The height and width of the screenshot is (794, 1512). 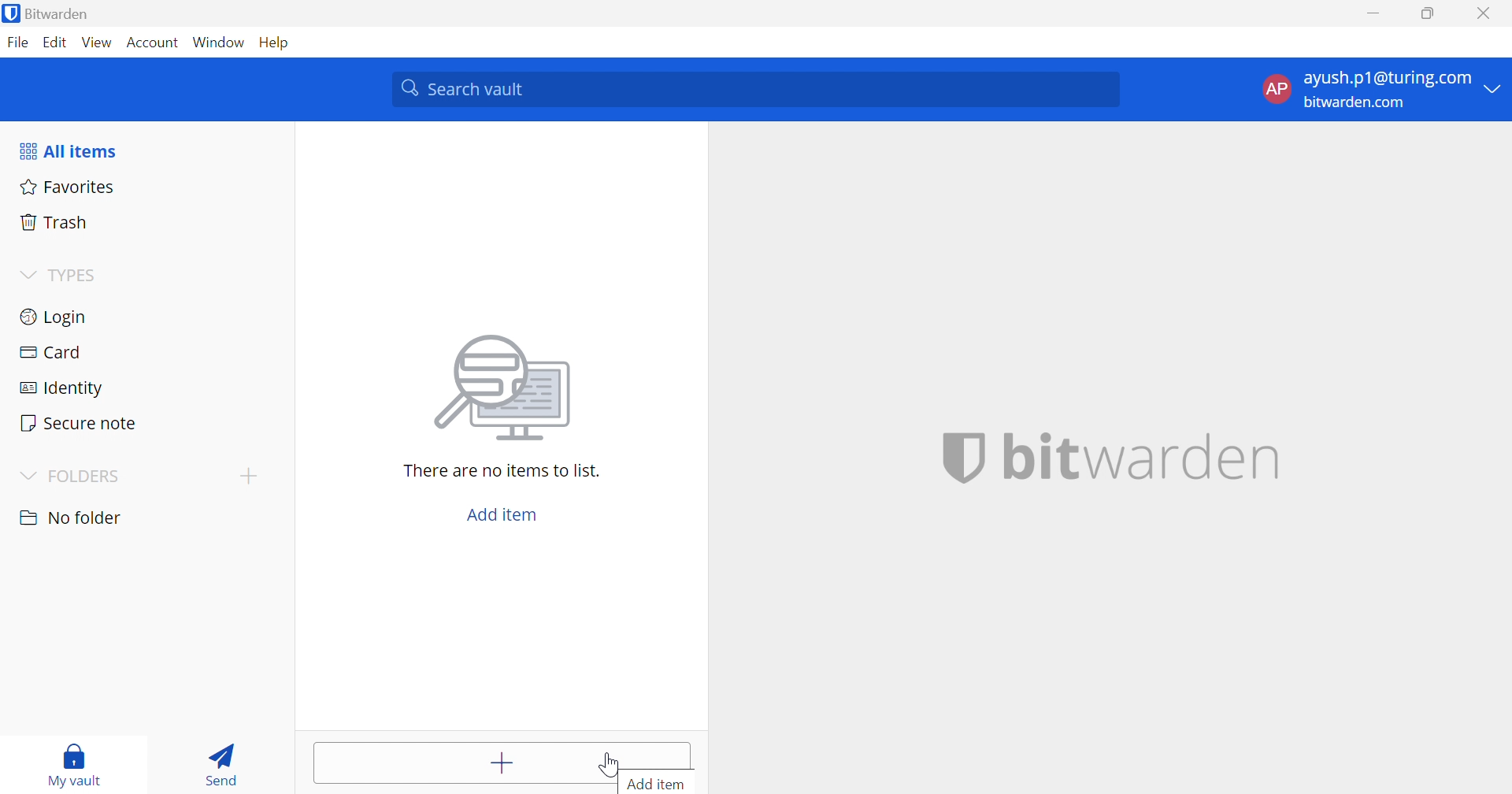 What do you see at coordinates (218, 43) in the screenshot?
I see `Window` at bounding box center [218, 43].